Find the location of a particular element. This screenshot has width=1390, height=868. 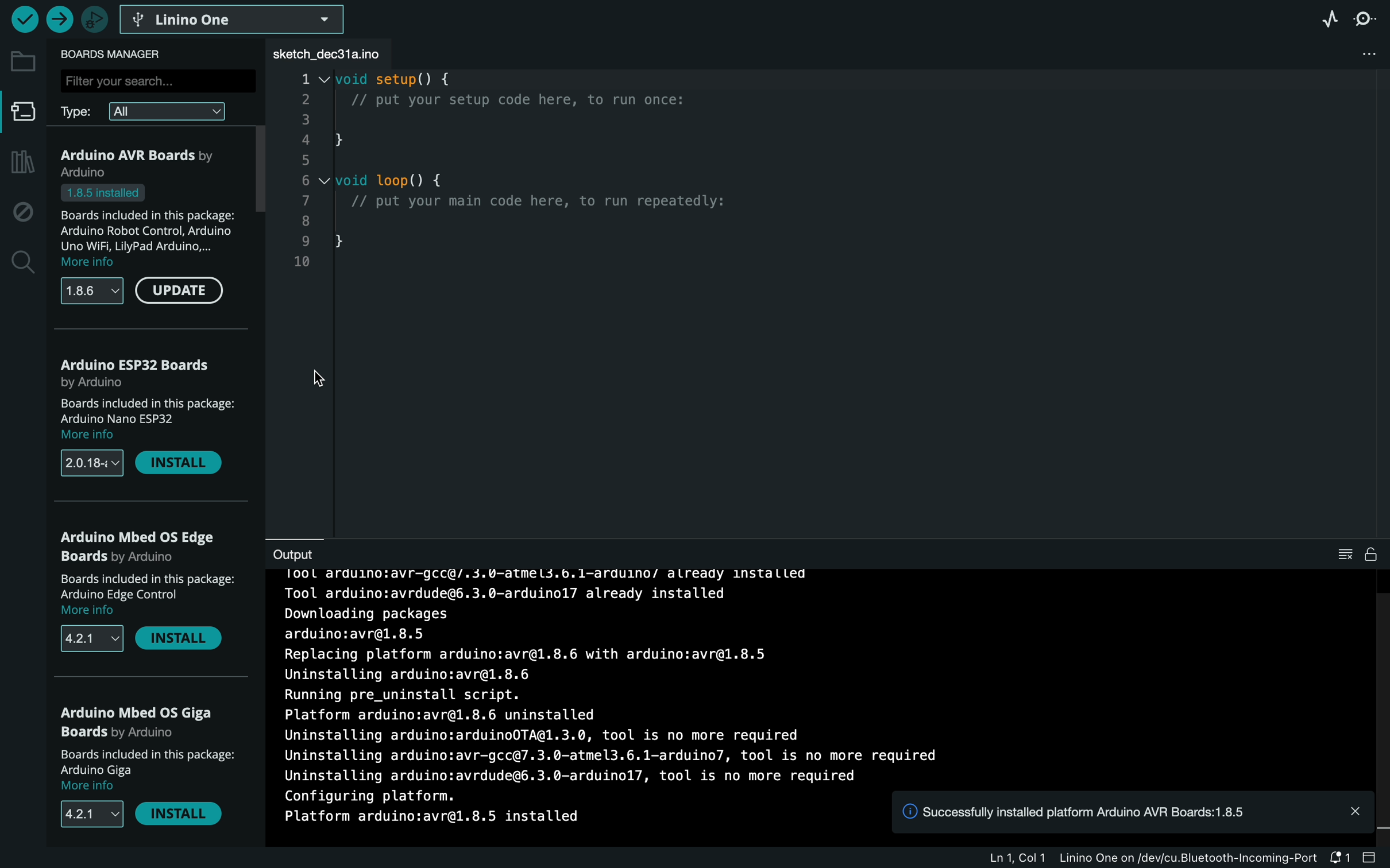

file tab is located at coordinates (337, 54).